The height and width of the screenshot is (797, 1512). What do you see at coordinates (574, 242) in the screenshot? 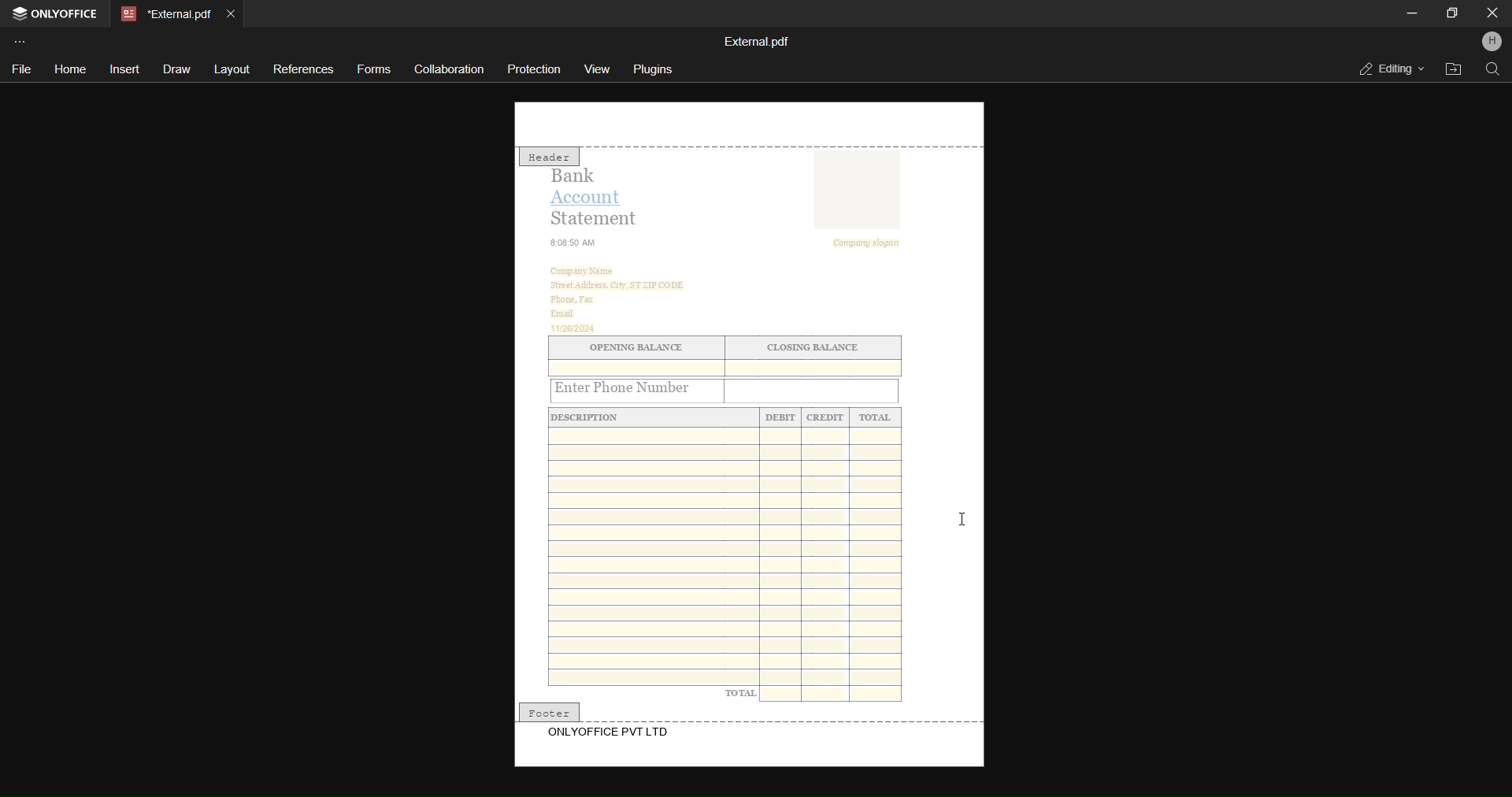
I see `8:08:50 AM` at bounding box center [574, 242].